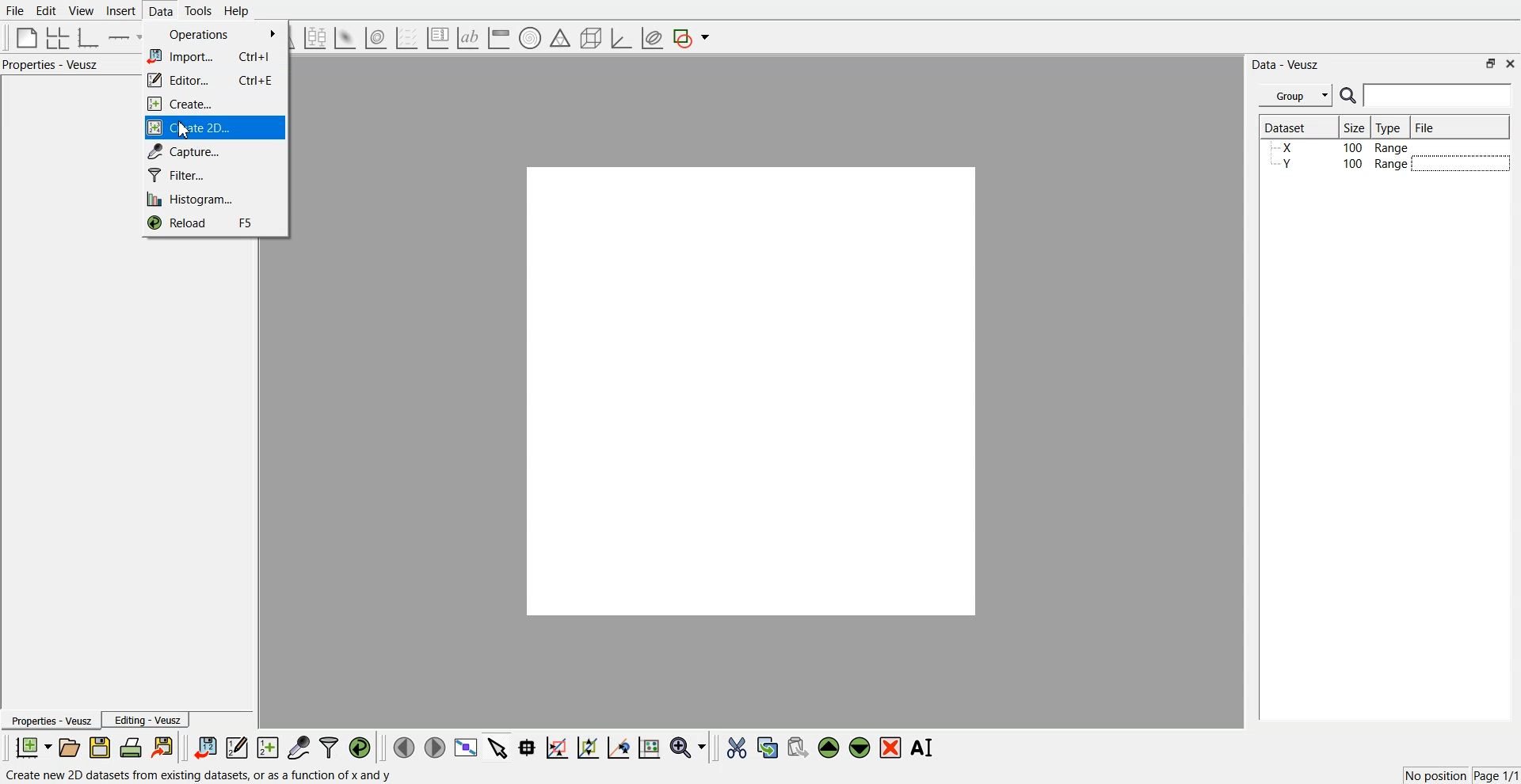 The width and height of the screenshot is (1521, 784). What do you see at coordinates (50, 720) in the screenshot?
I see `Properties - Veusz` at bounding box center [50, 720].